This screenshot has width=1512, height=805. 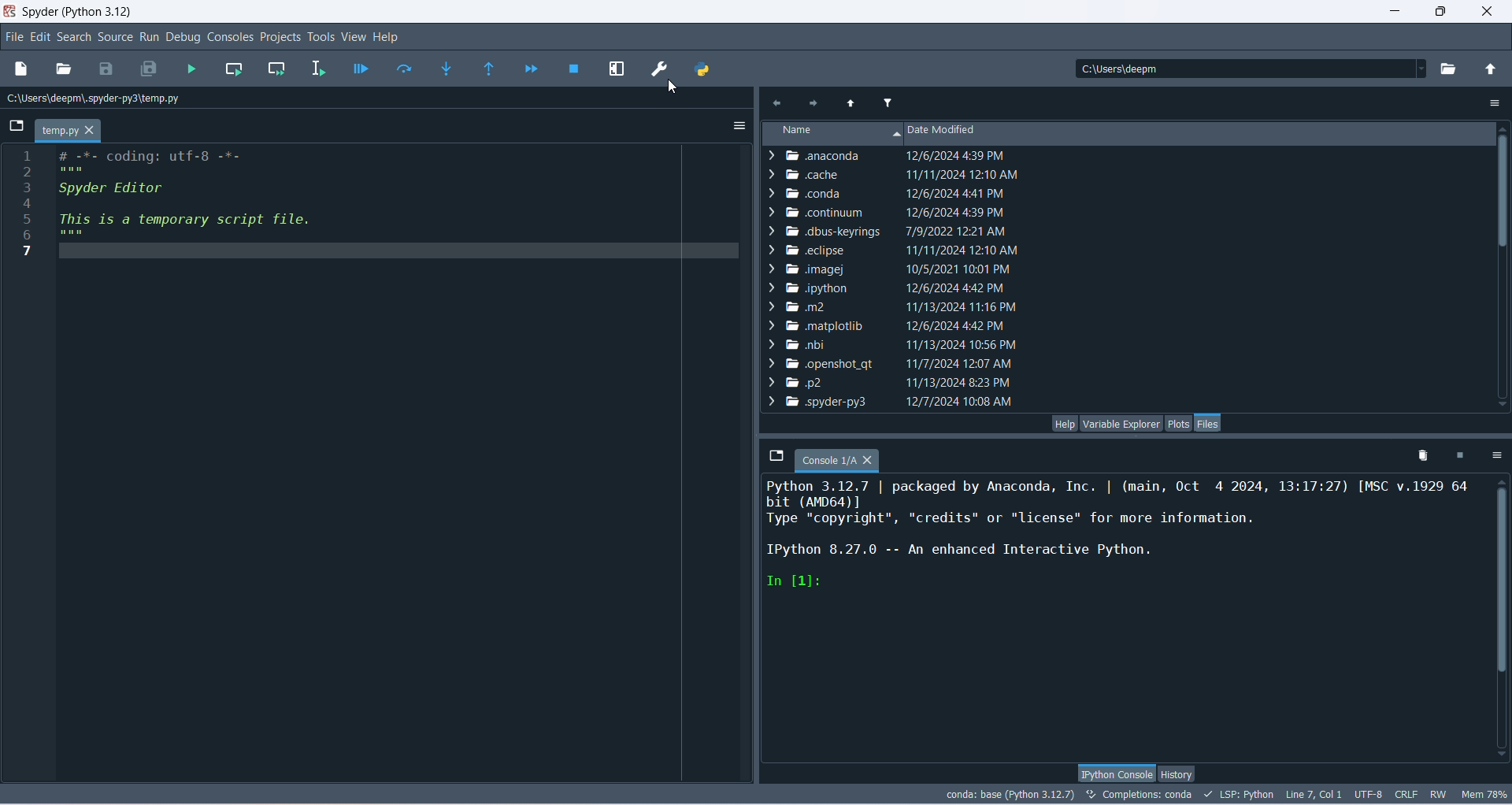 What do you see at coordinates (1490, 9) in the screenshot?
I see `close` at bounding box center [1490, 9].